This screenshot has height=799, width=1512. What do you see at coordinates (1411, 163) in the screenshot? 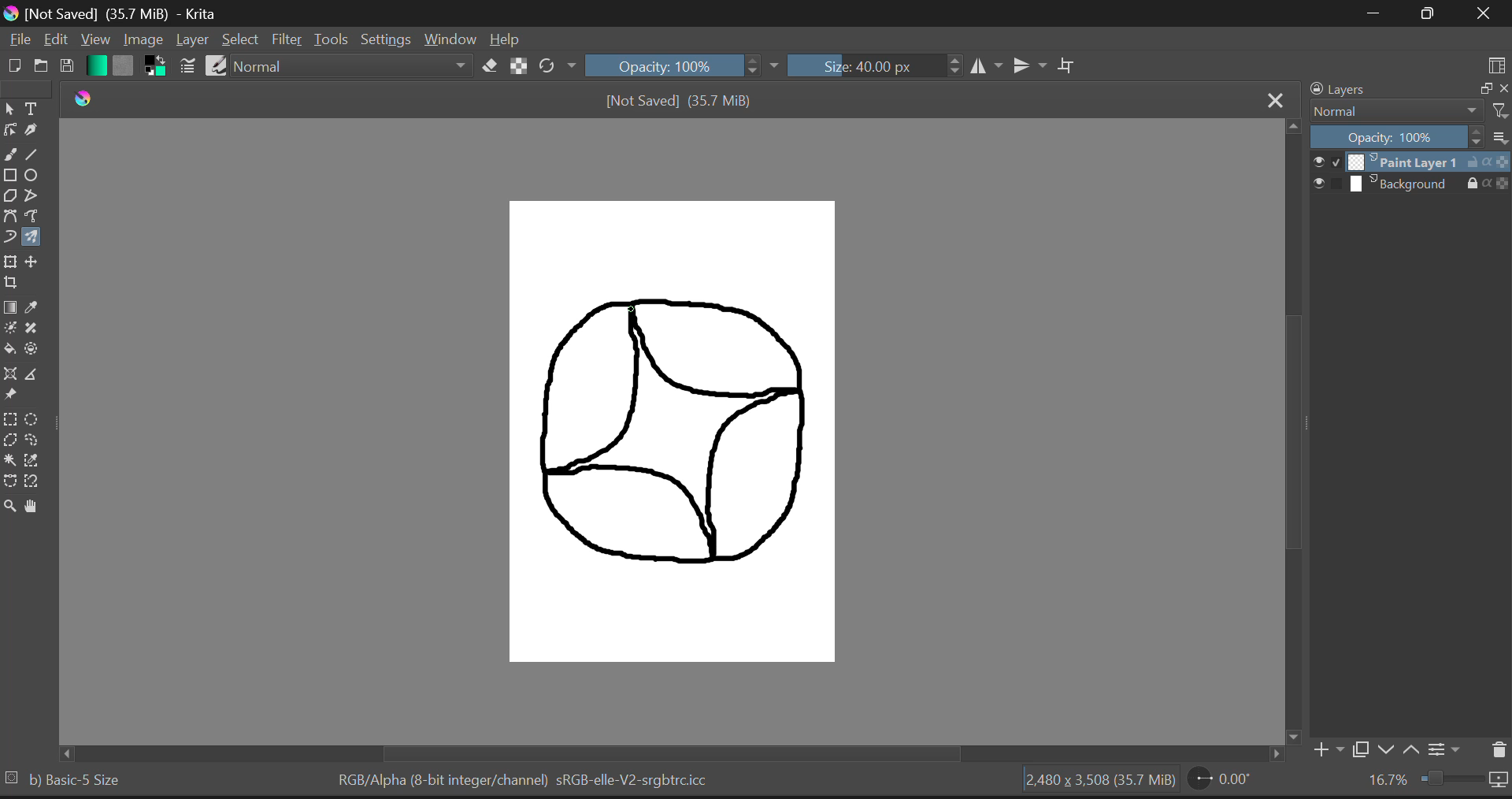
I see `Paint Layer` at bounding box center [1411, 163].